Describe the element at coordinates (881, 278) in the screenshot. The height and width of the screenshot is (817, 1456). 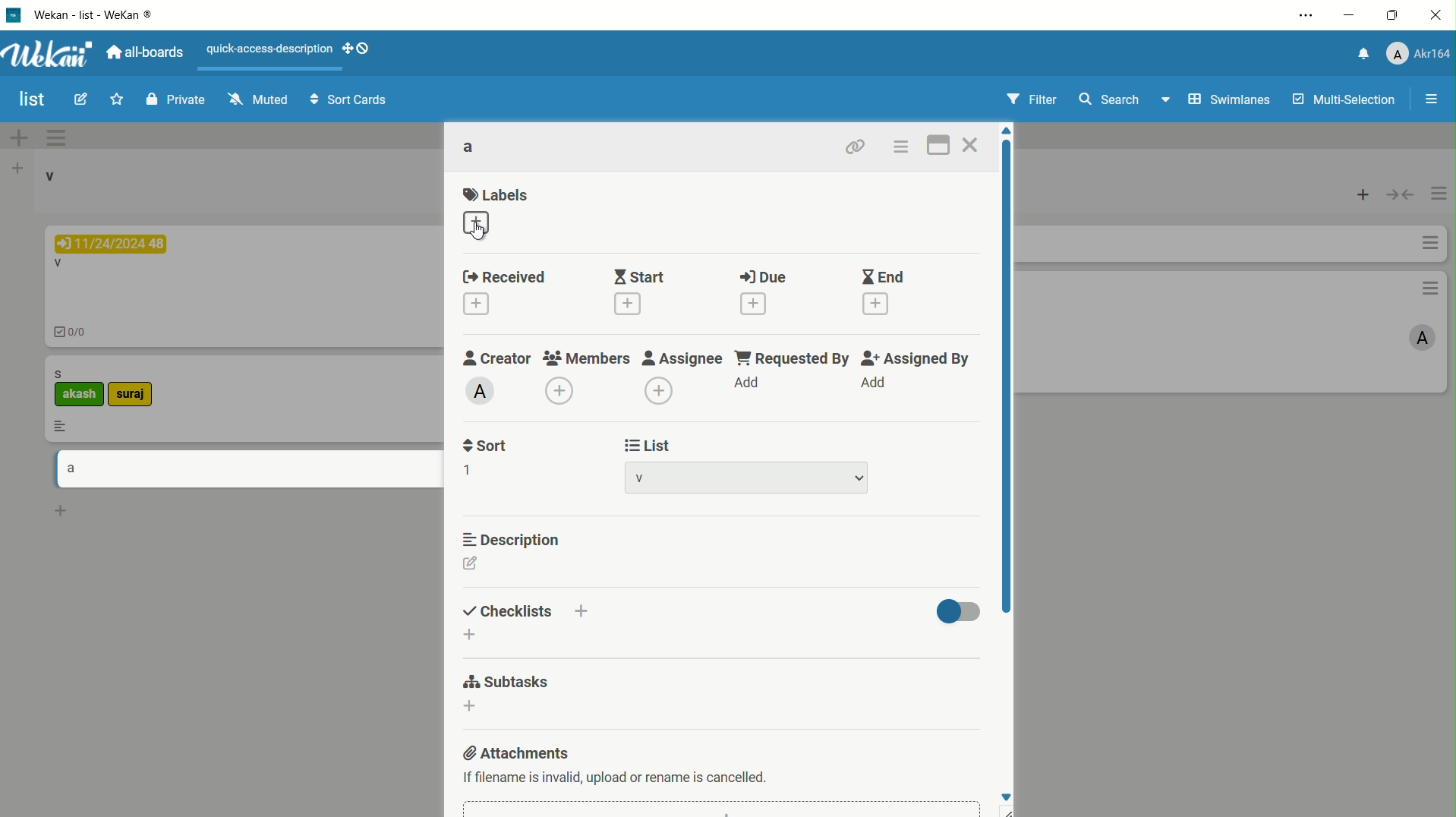
I see `end` at that location.